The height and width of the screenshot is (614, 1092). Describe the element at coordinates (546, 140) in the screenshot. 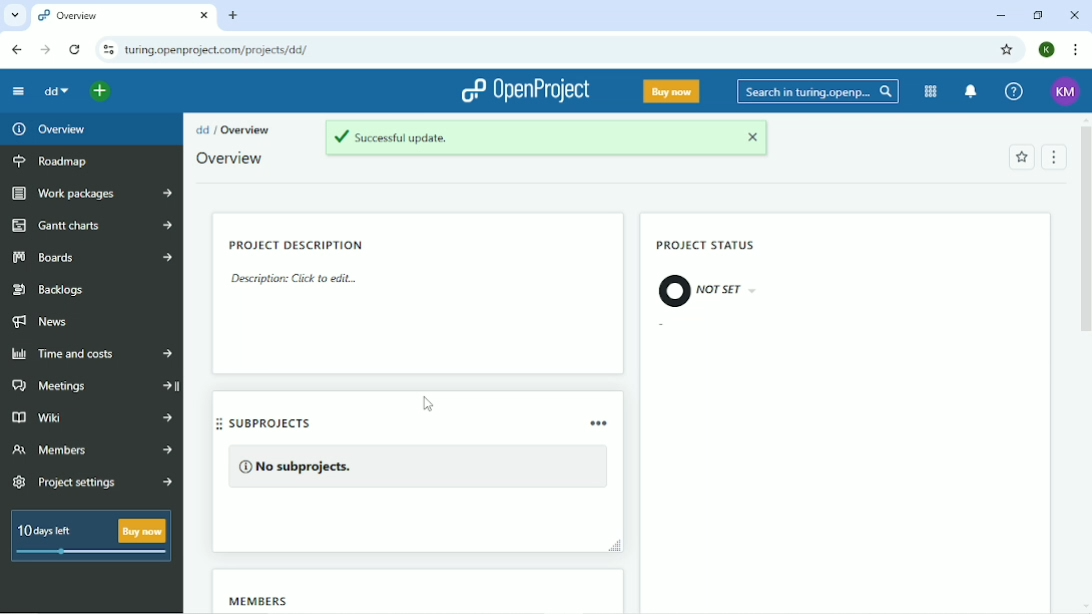

I see `Successful update.` at that location.